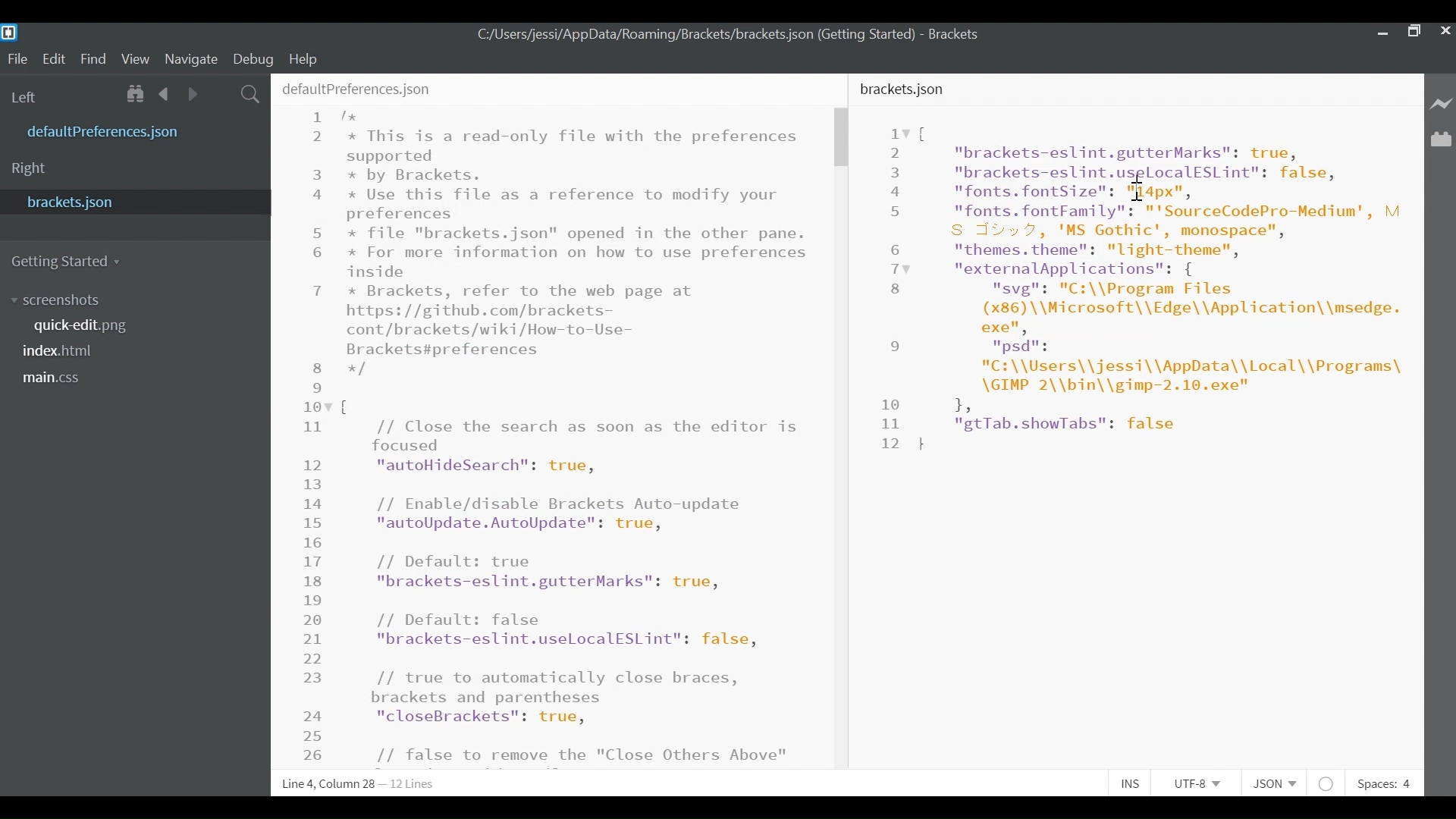 This screenshot has height=819, width=1456. What do you see at coordinates (138, 130) in the screenshot?
I see `defaultPreferences.json` at bounding box center [138, 130].